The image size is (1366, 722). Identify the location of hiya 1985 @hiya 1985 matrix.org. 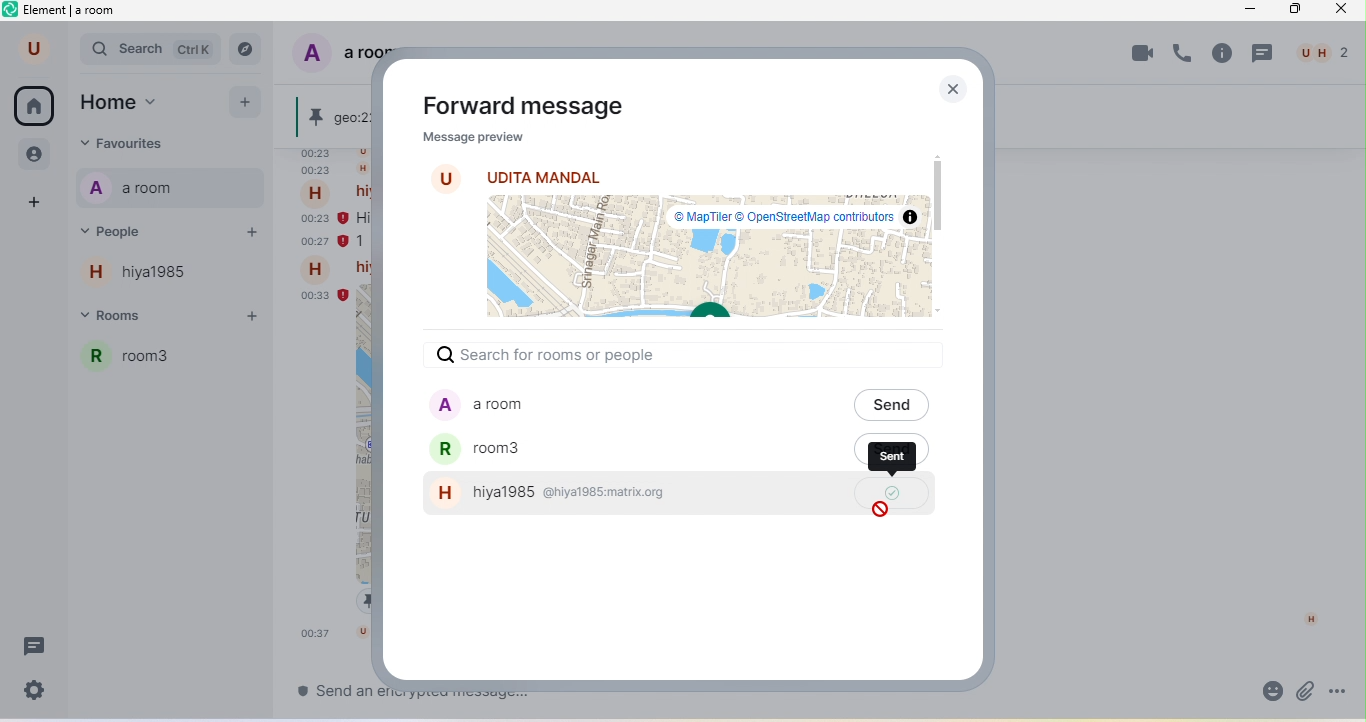
(637, 494).